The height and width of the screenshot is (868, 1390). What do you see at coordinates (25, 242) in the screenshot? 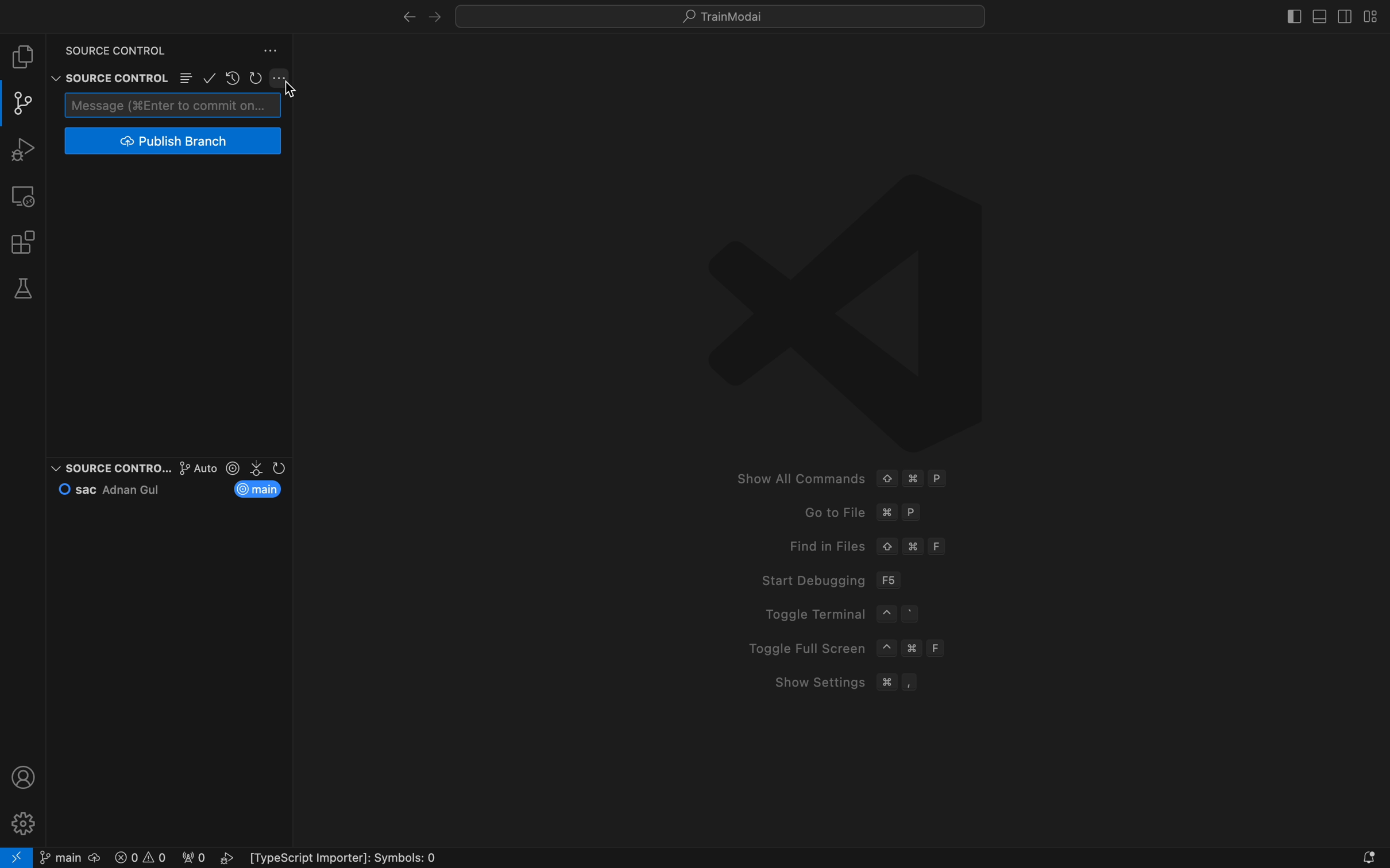
I see `extensions` at bounding box center [25, 242].